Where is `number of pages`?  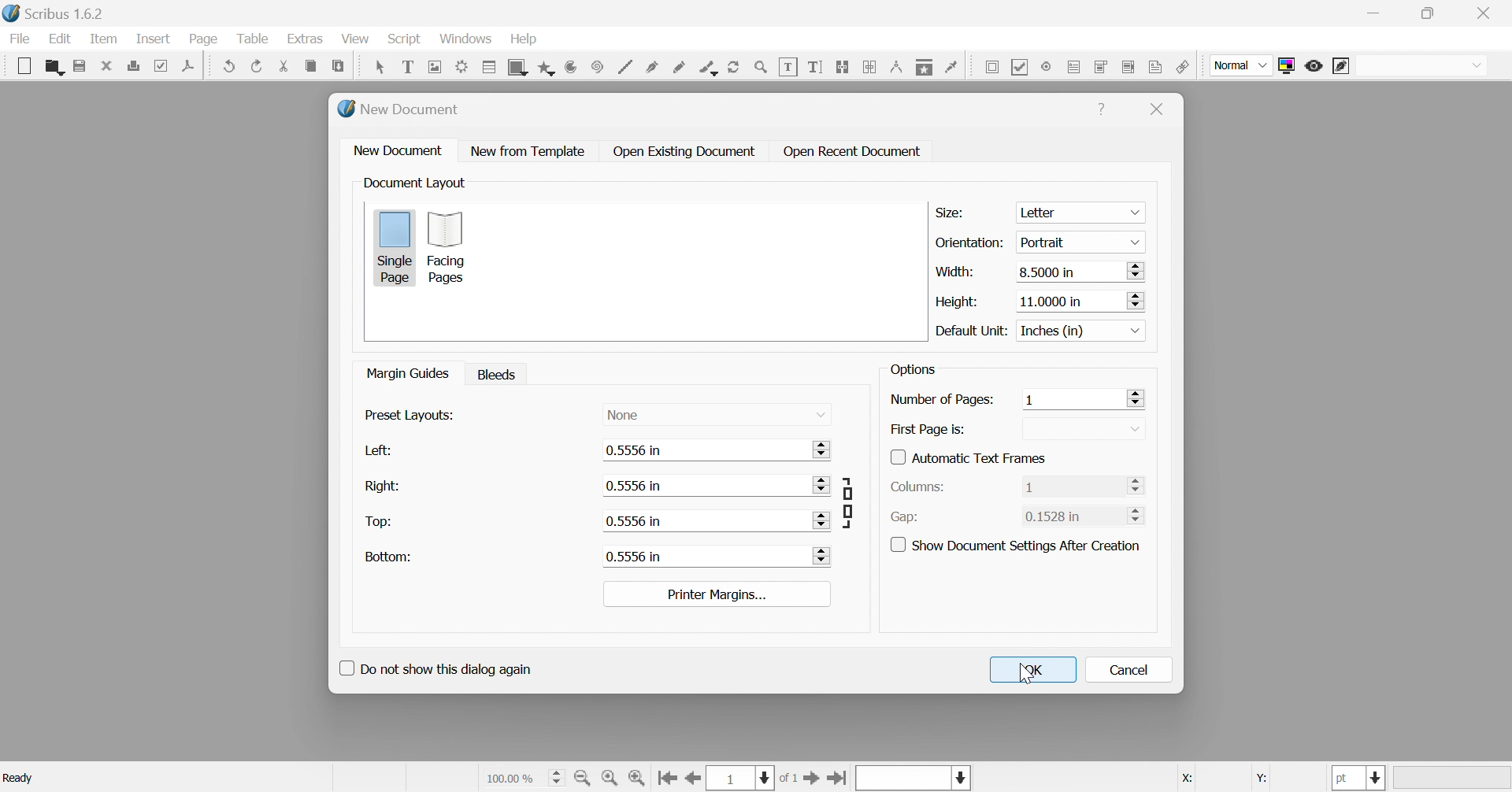 number of pages is located at coordinates (936, 399).